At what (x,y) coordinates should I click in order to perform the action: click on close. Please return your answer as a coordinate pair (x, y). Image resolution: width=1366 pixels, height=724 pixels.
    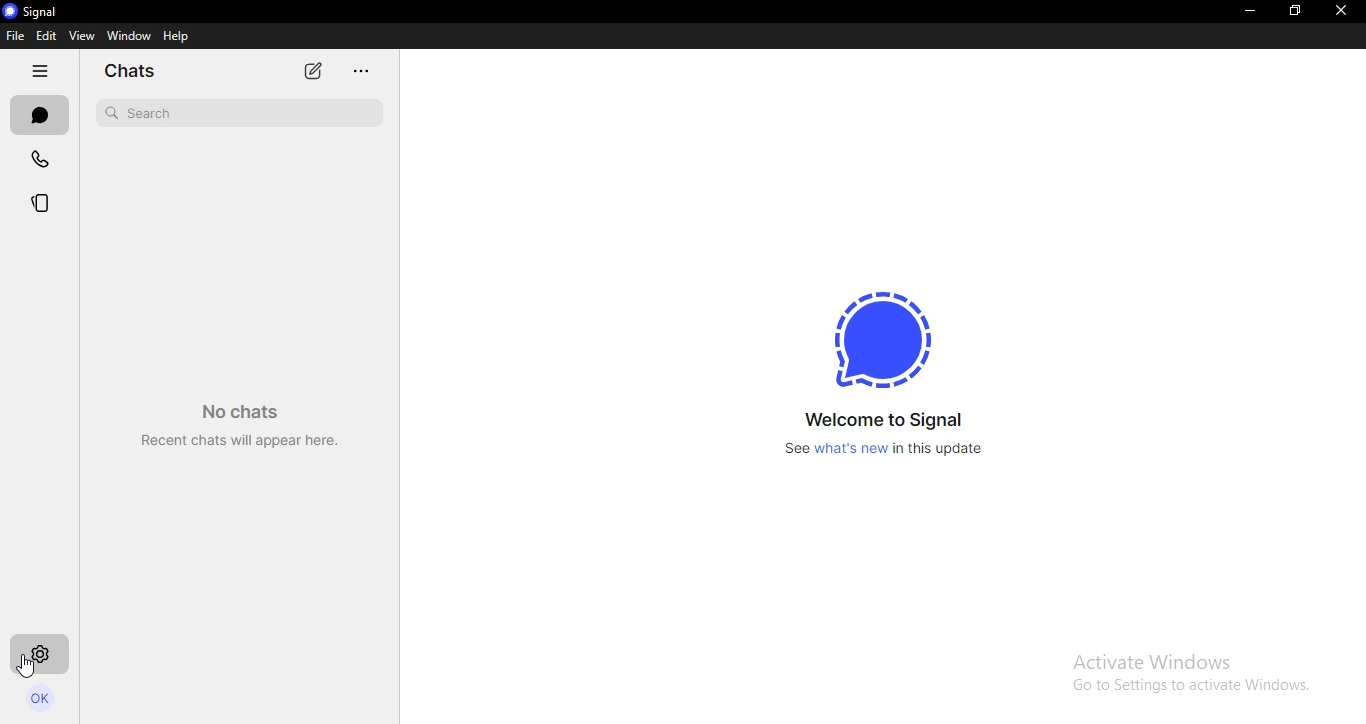
    Looking at the image, I should click on (1342, 15).